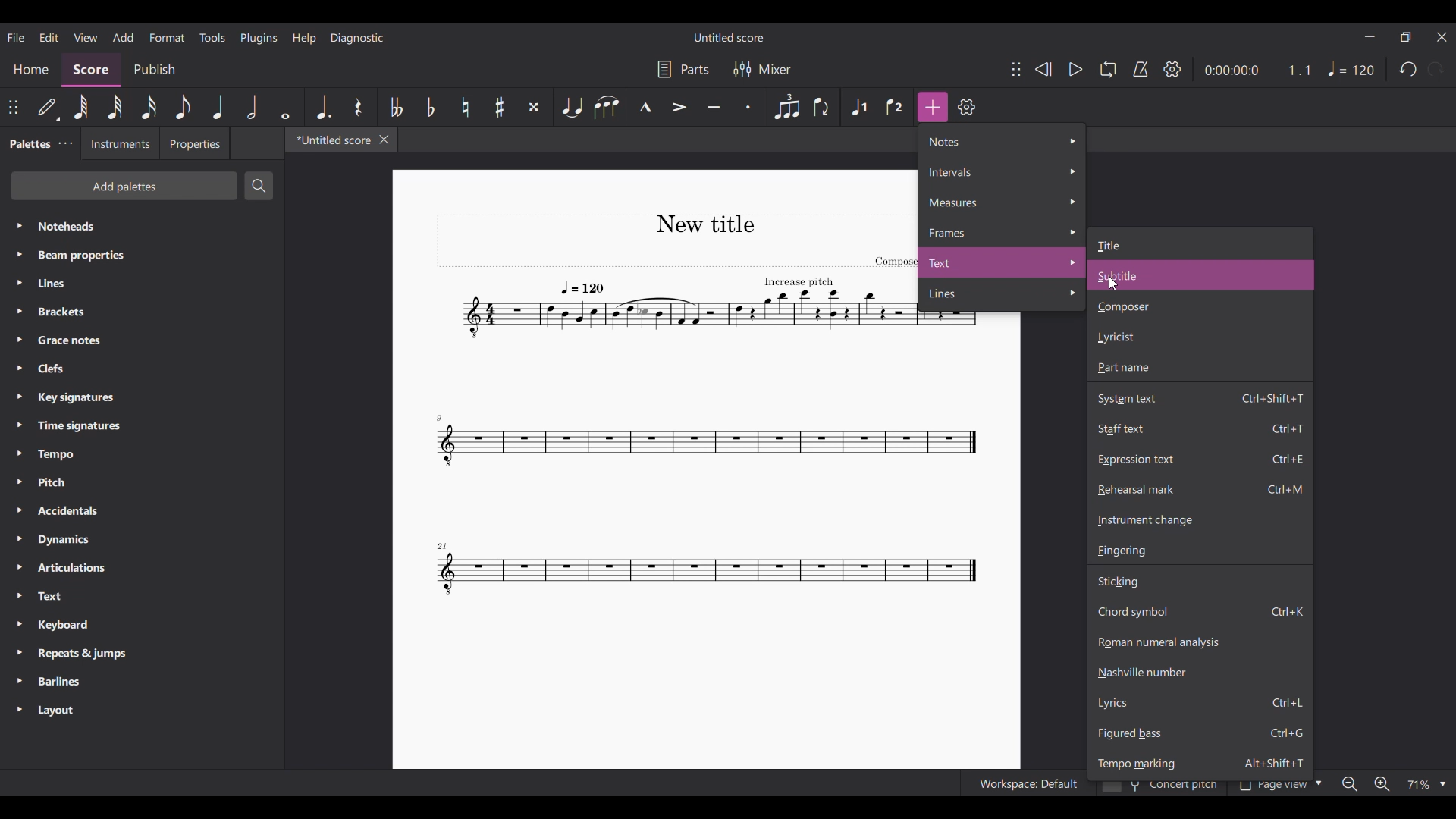 This screenshot has width=1456, height=819. I want to click on Clefs, so click(142, 368).